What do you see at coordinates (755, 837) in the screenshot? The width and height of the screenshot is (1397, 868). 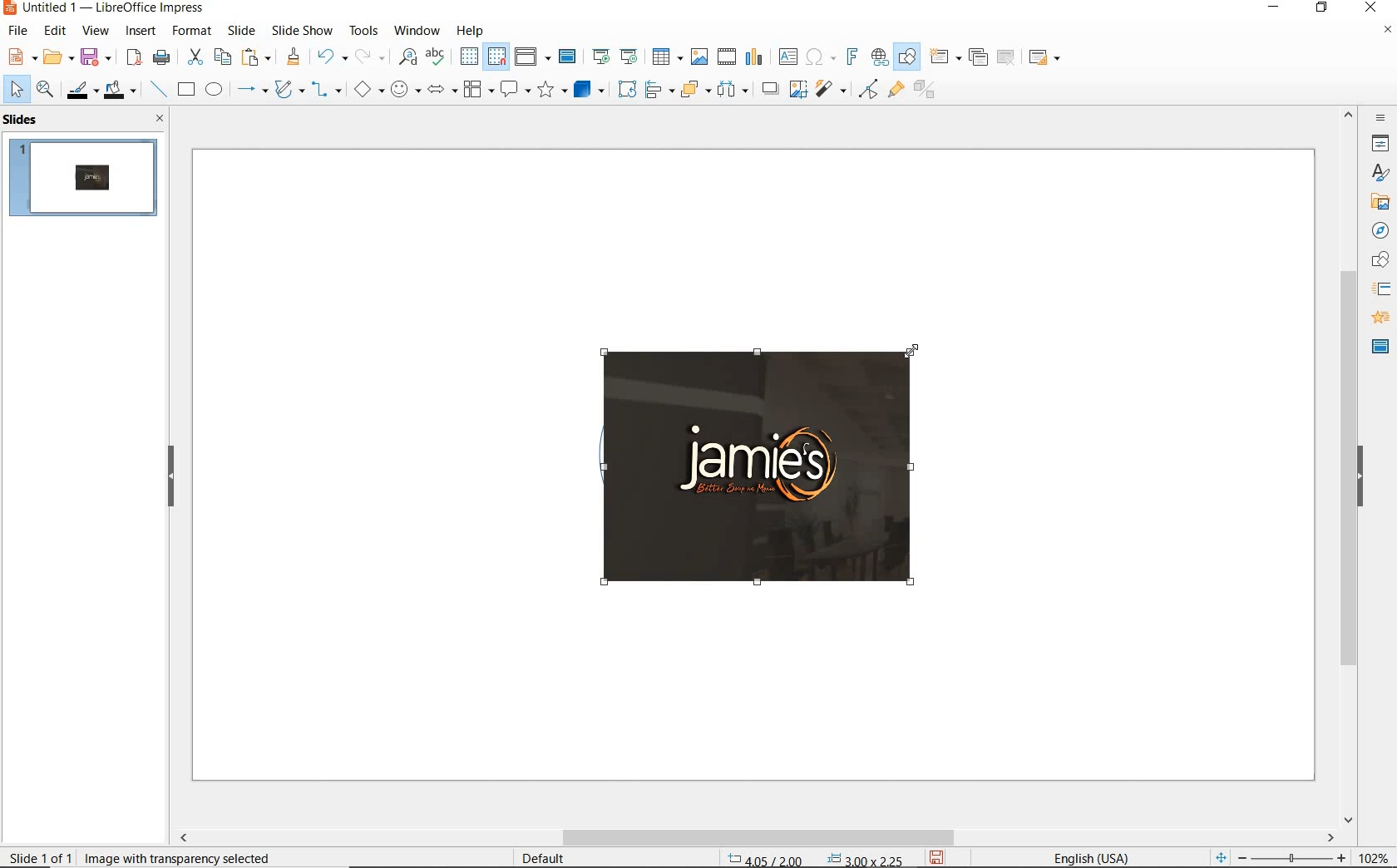 I see `scrollbar` at bounding box center [755, 837].